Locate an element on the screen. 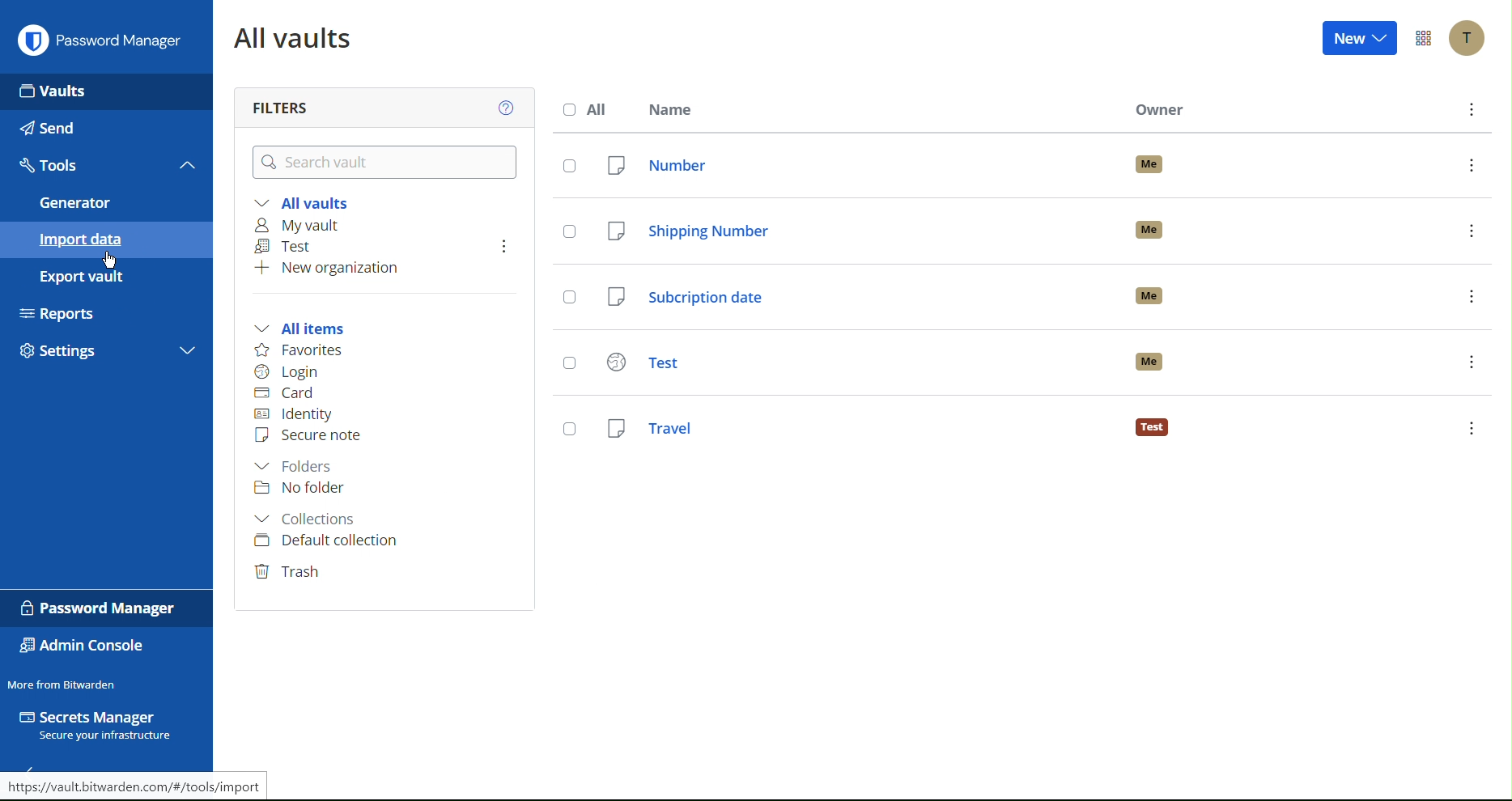  owner is located at coordinates (1149, 295).